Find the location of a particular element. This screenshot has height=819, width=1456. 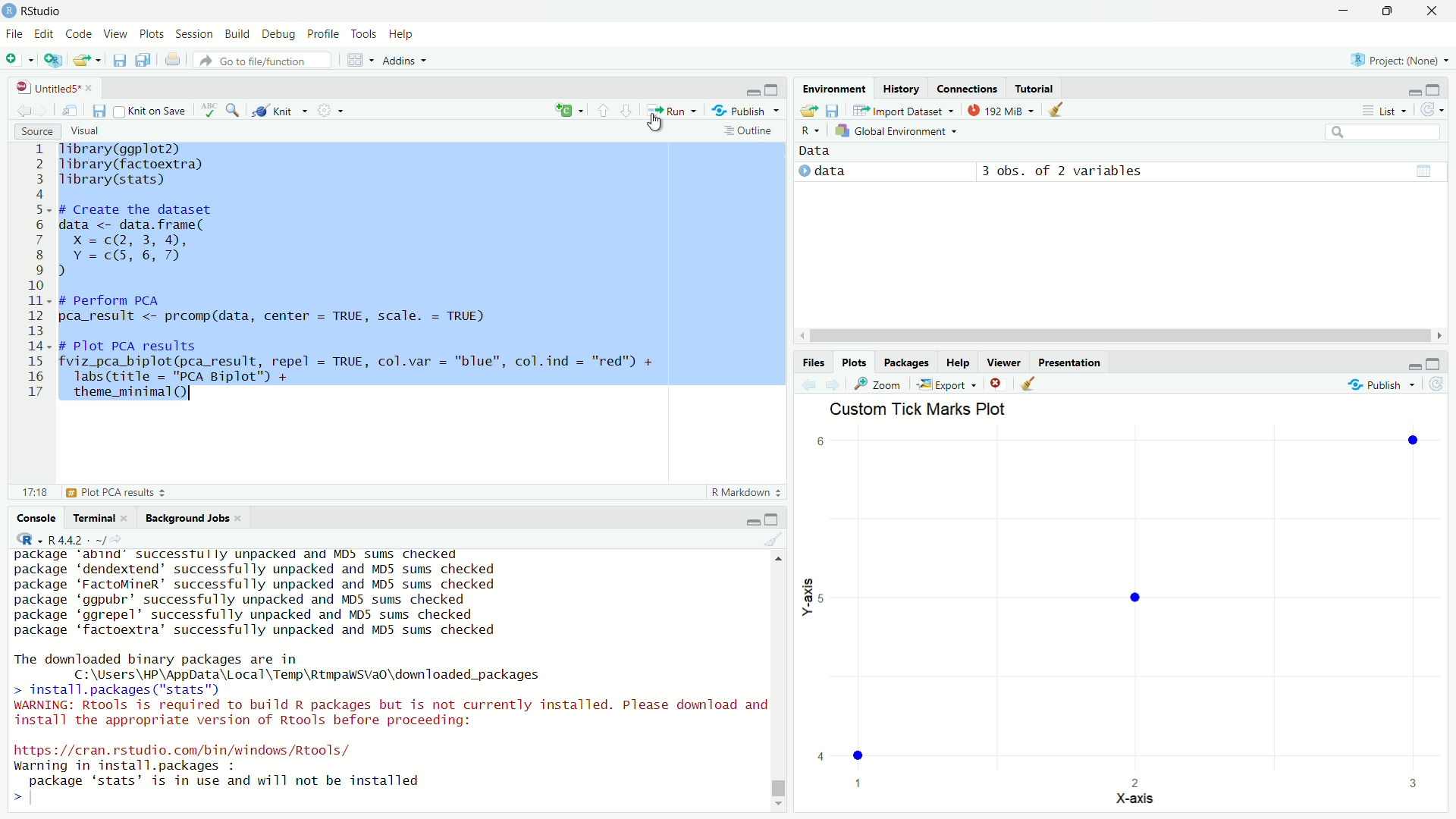

go to file/function is located at coordinates (264, 60).